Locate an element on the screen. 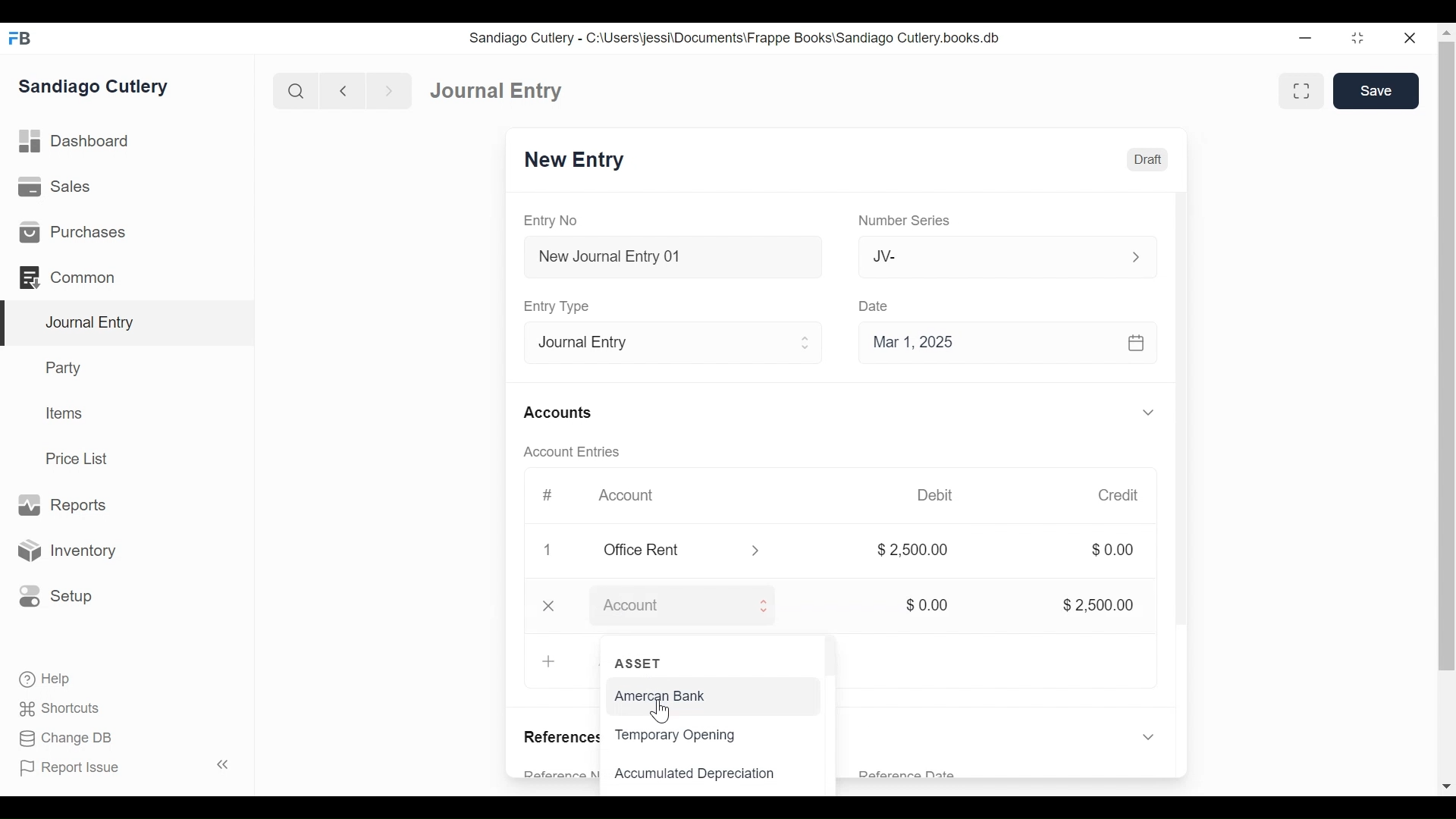  scrollbar is located at coordinates (1181, 423).